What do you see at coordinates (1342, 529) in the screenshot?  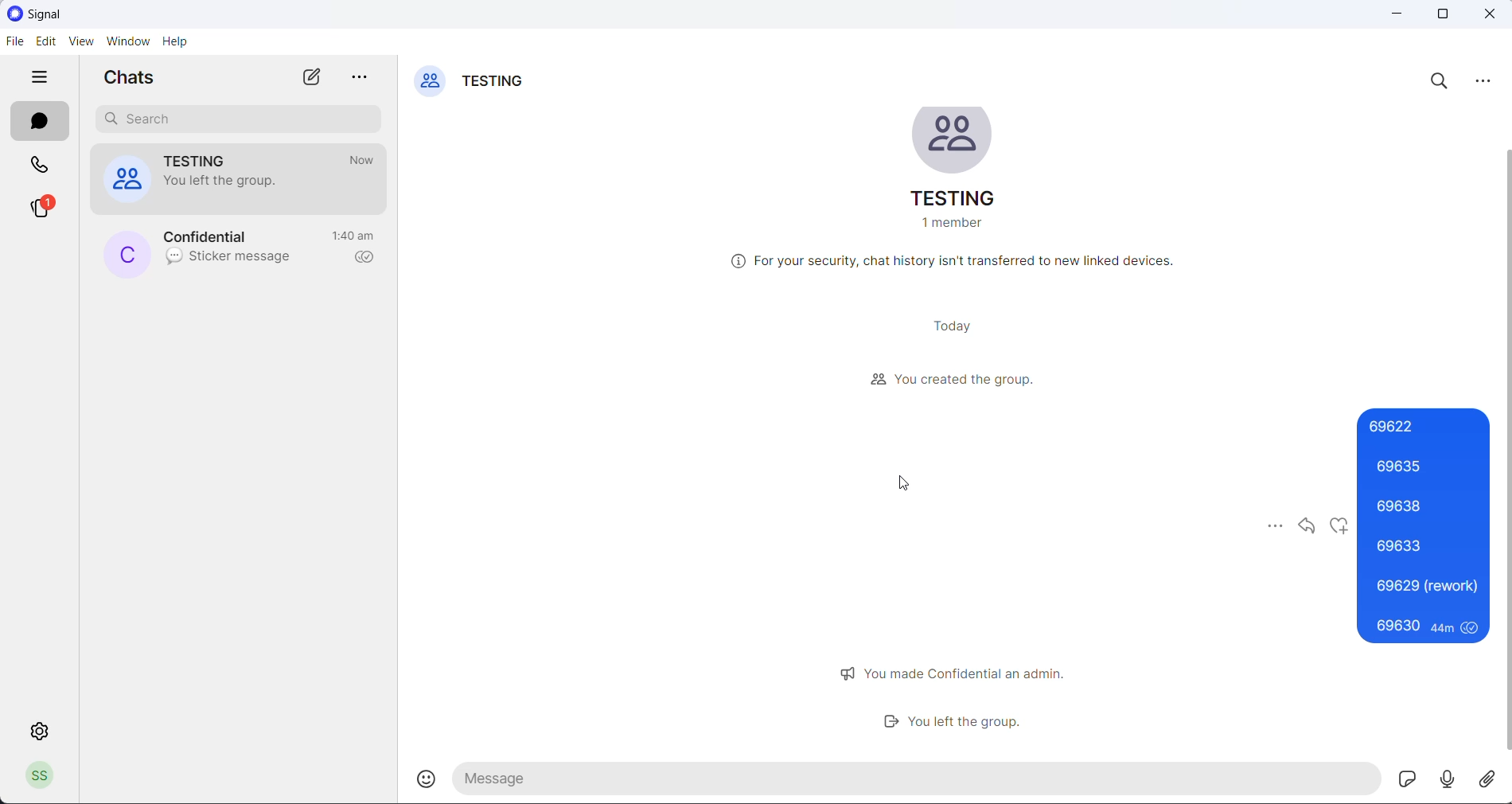 I see `like` at bounding box center [1342, 529].